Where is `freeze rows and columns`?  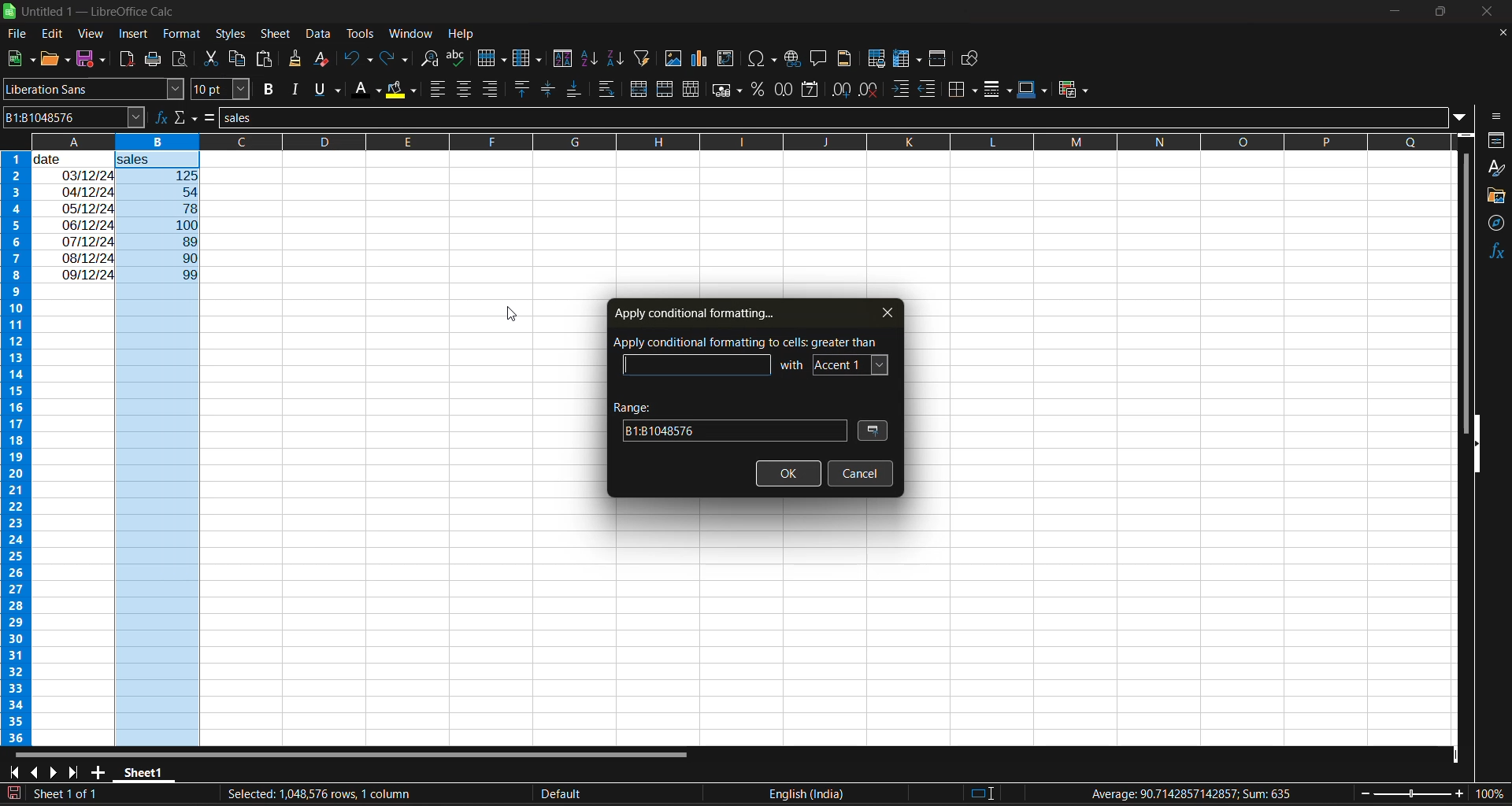
freeze rows and columns is located at coordinates (907, 60).